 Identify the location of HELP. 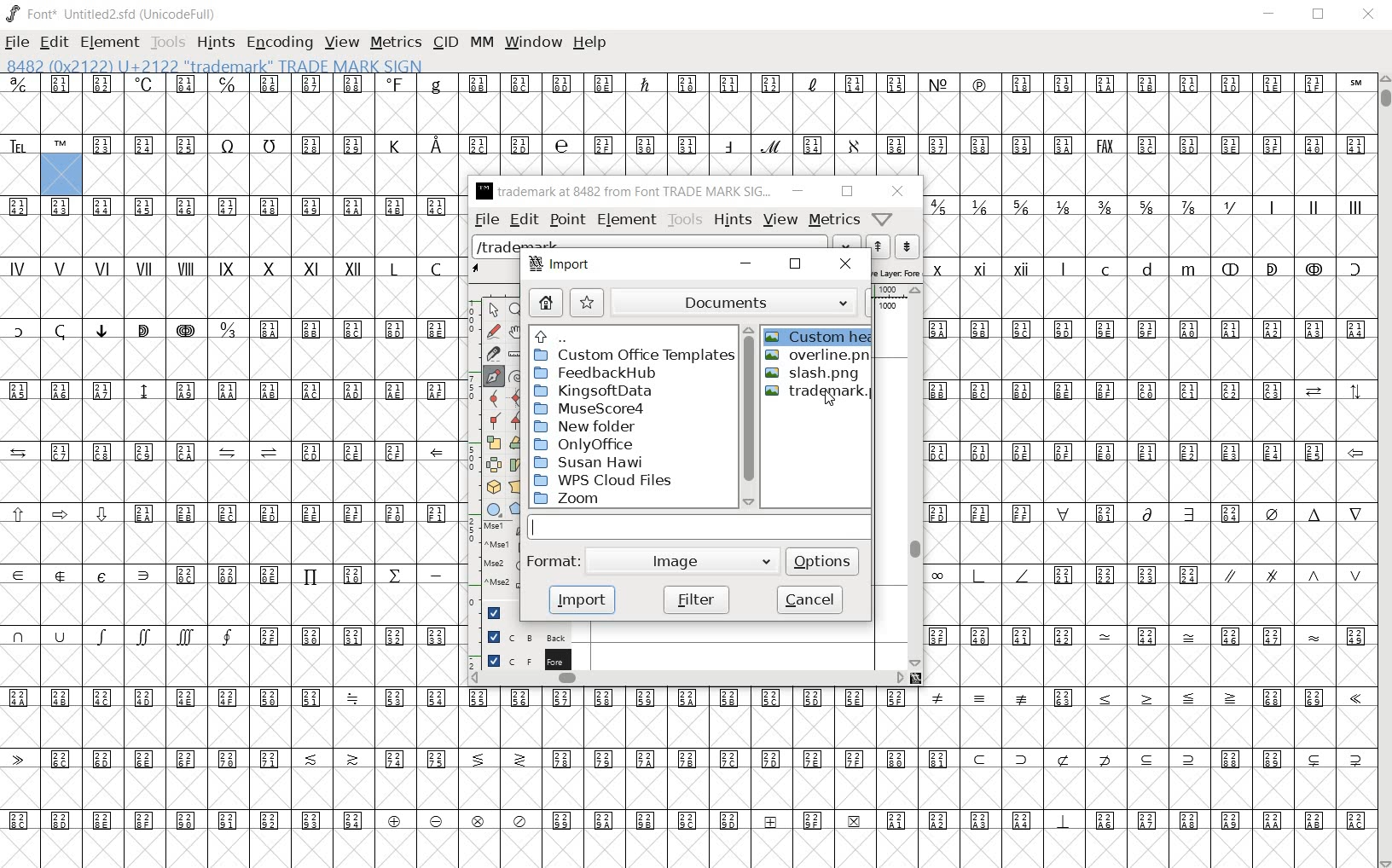
(590, 44).